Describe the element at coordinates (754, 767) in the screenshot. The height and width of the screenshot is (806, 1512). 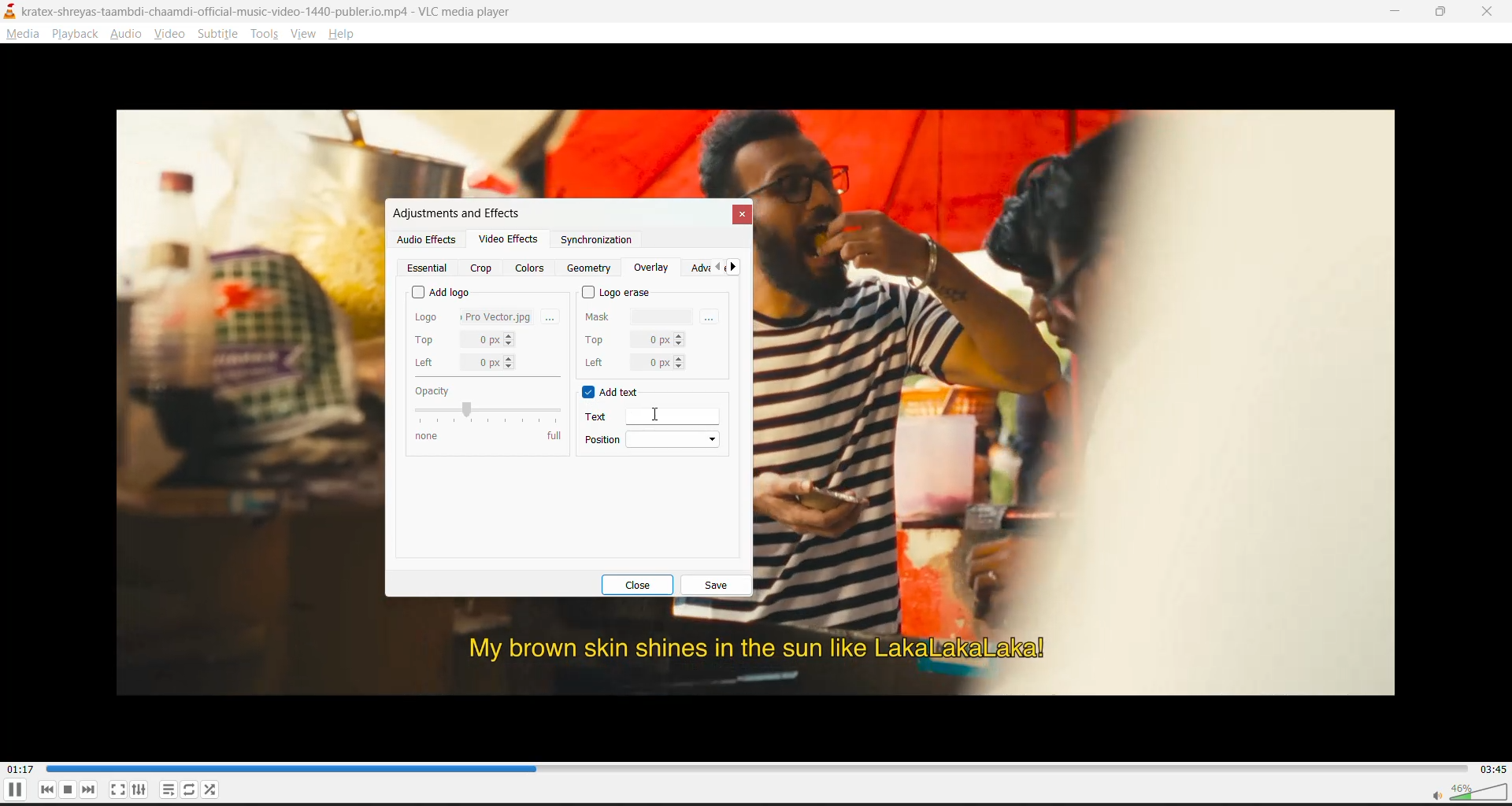
I see `track slider` at that location.